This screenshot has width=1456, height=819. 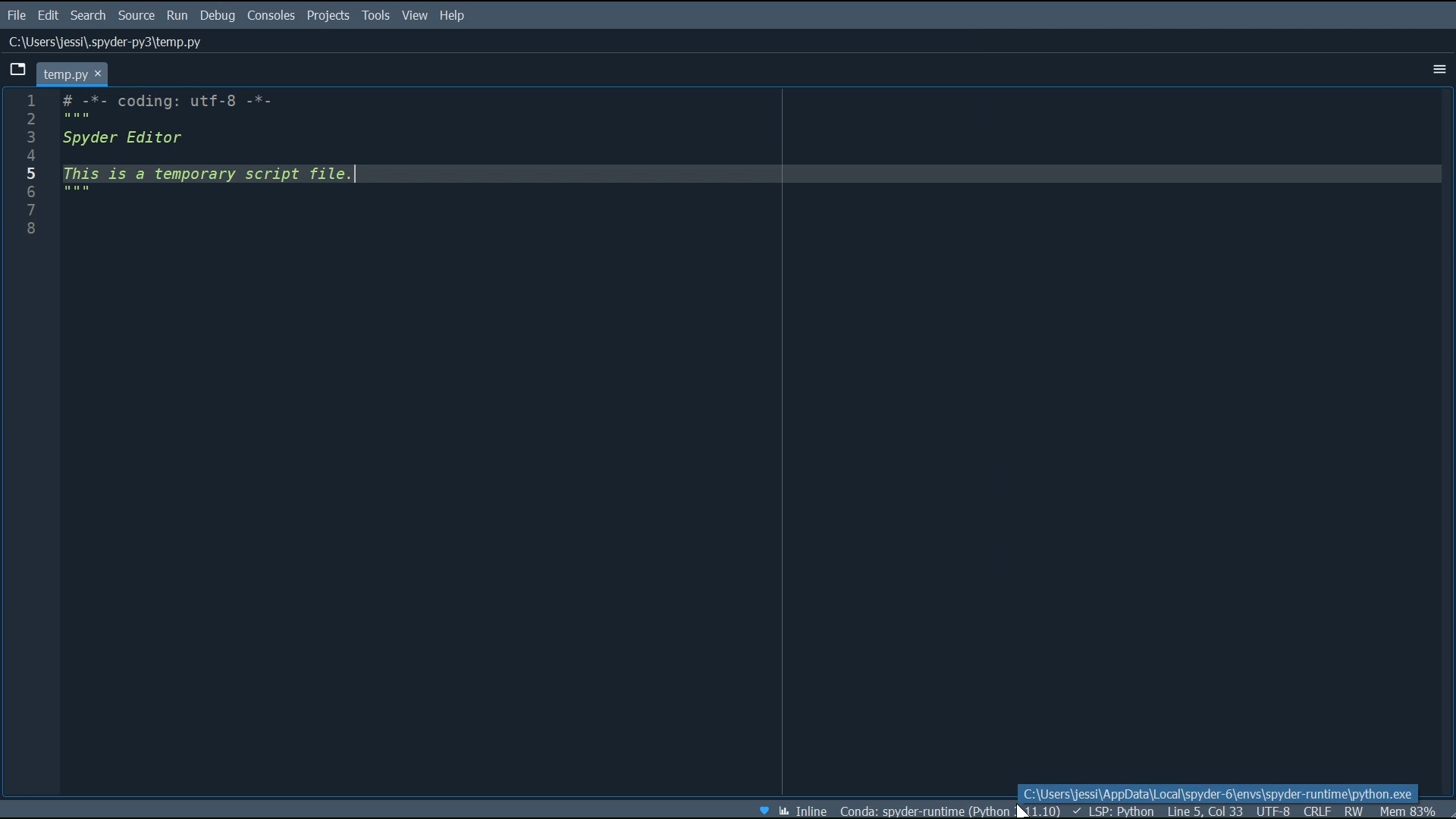 I want to click on Source, so click(x=137, y=16).